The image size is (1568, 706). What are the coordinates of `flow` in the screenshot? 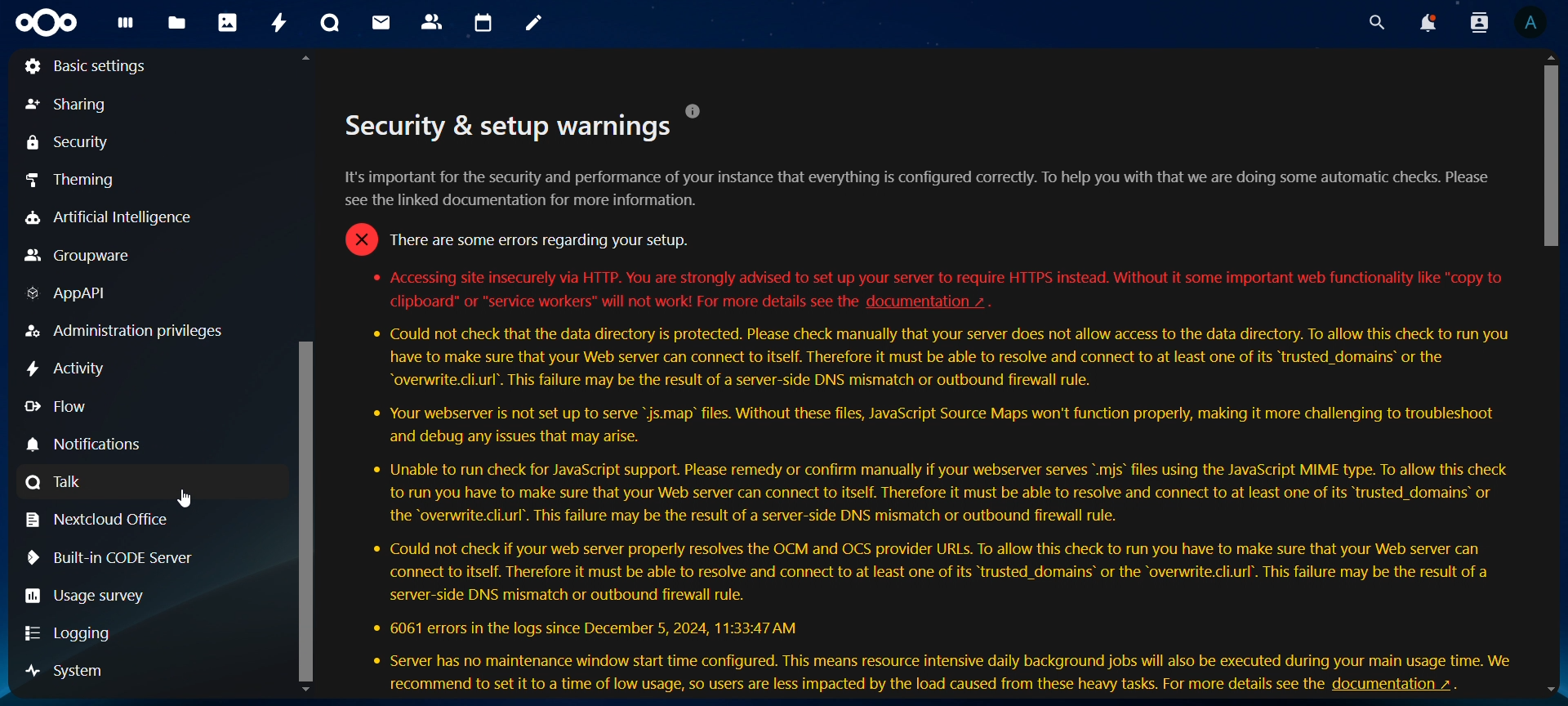 It's located at (58, 407).